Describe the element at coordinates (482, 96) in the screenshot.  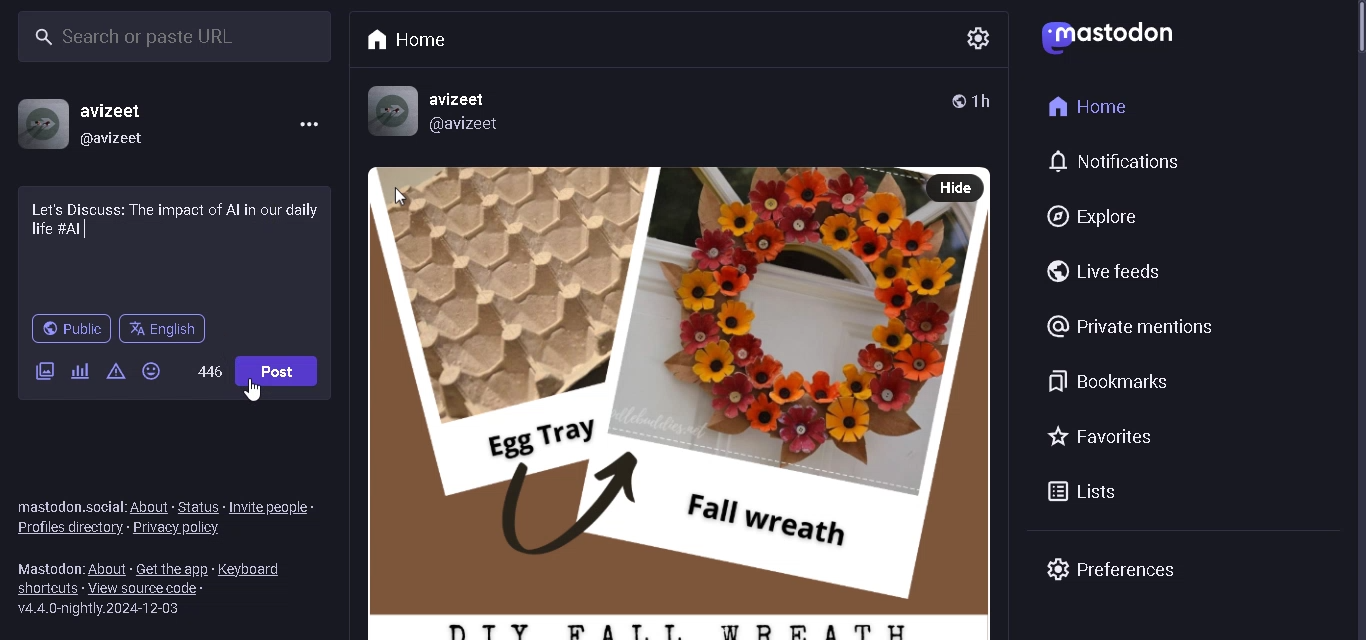
I see `username` at that location.